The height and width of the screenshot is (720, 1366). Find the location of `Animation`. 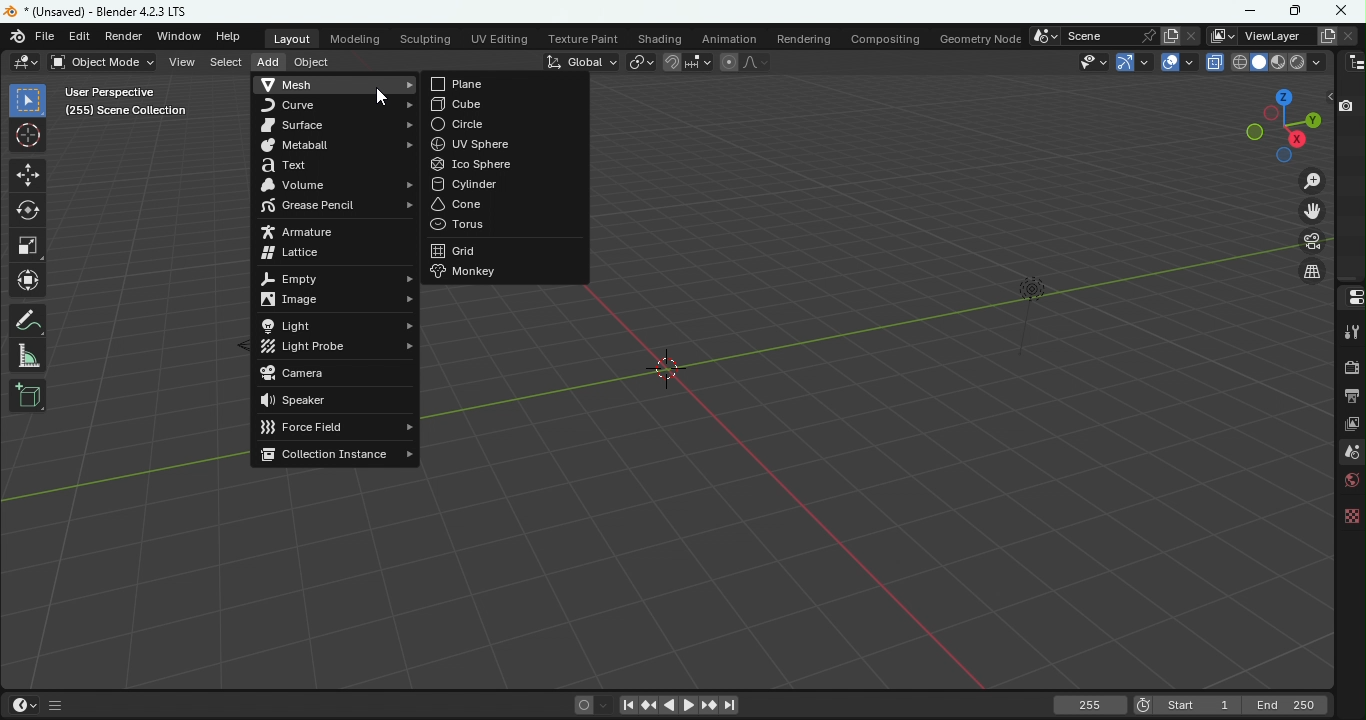

Animation is located at coordinates (728, 38).